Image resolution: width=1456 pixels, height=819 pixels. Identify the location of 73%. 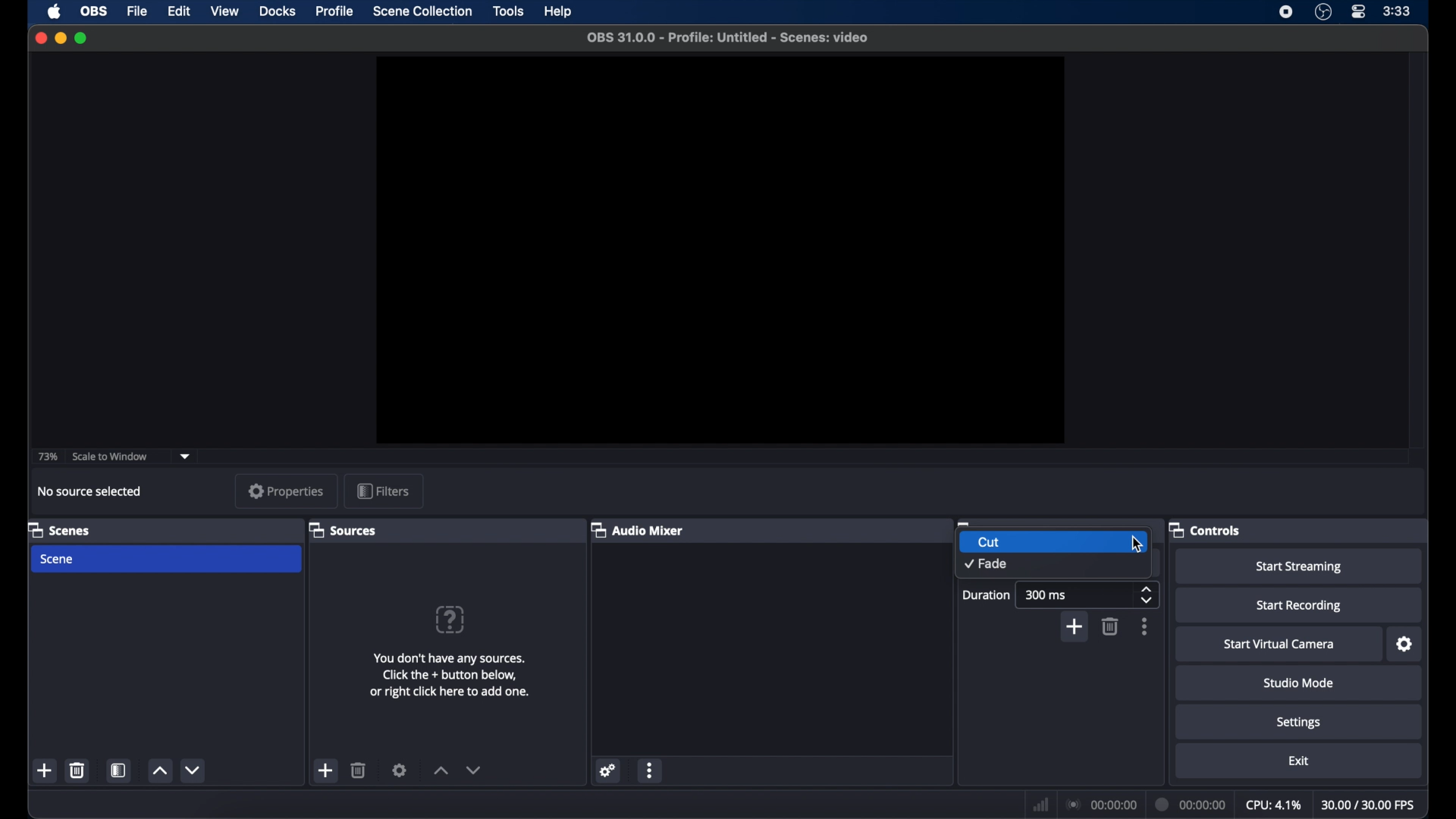
(45, 457).